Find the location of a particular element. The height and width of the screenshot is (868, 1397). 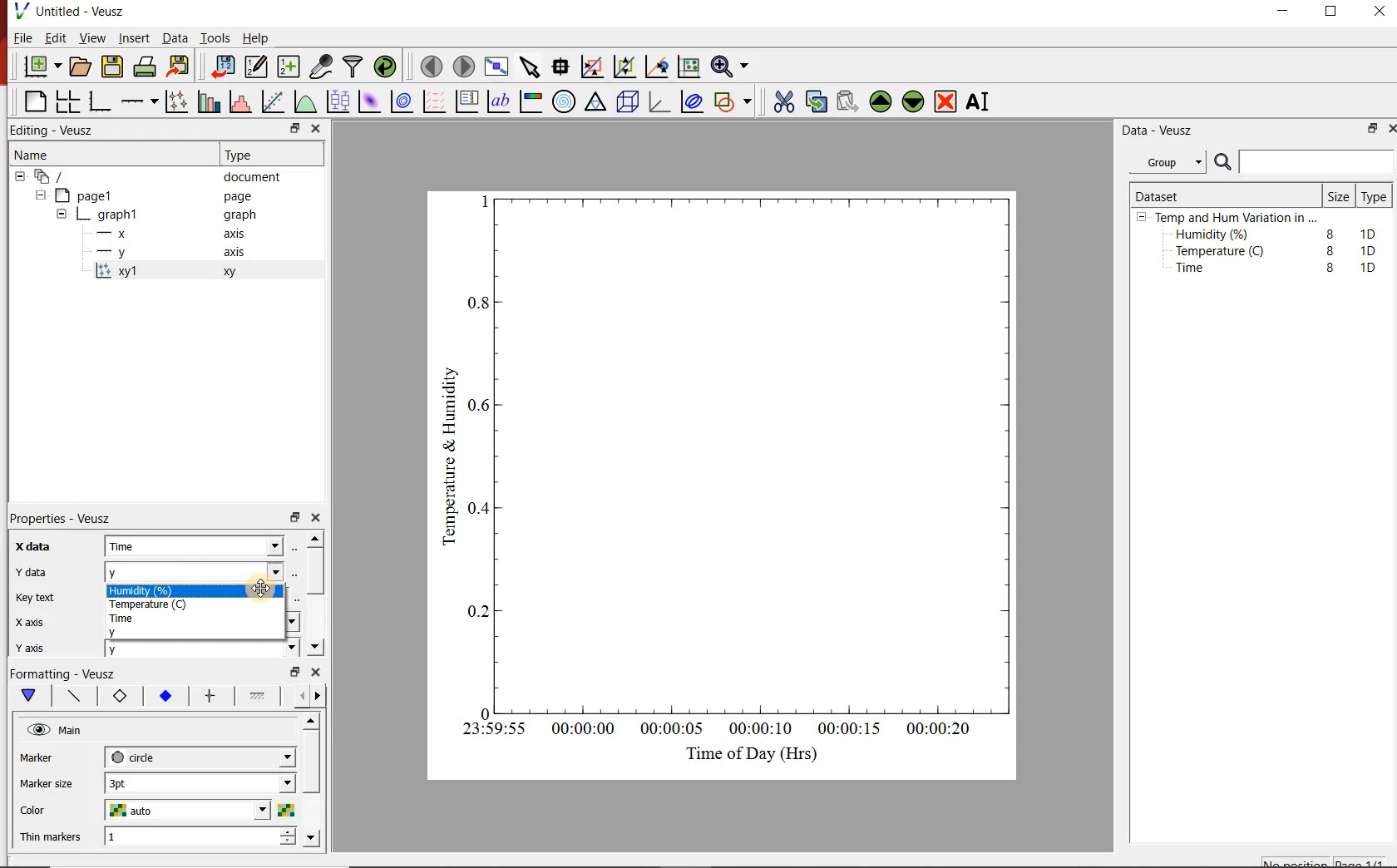

23:59:55 is located at coordinates (487, 730).